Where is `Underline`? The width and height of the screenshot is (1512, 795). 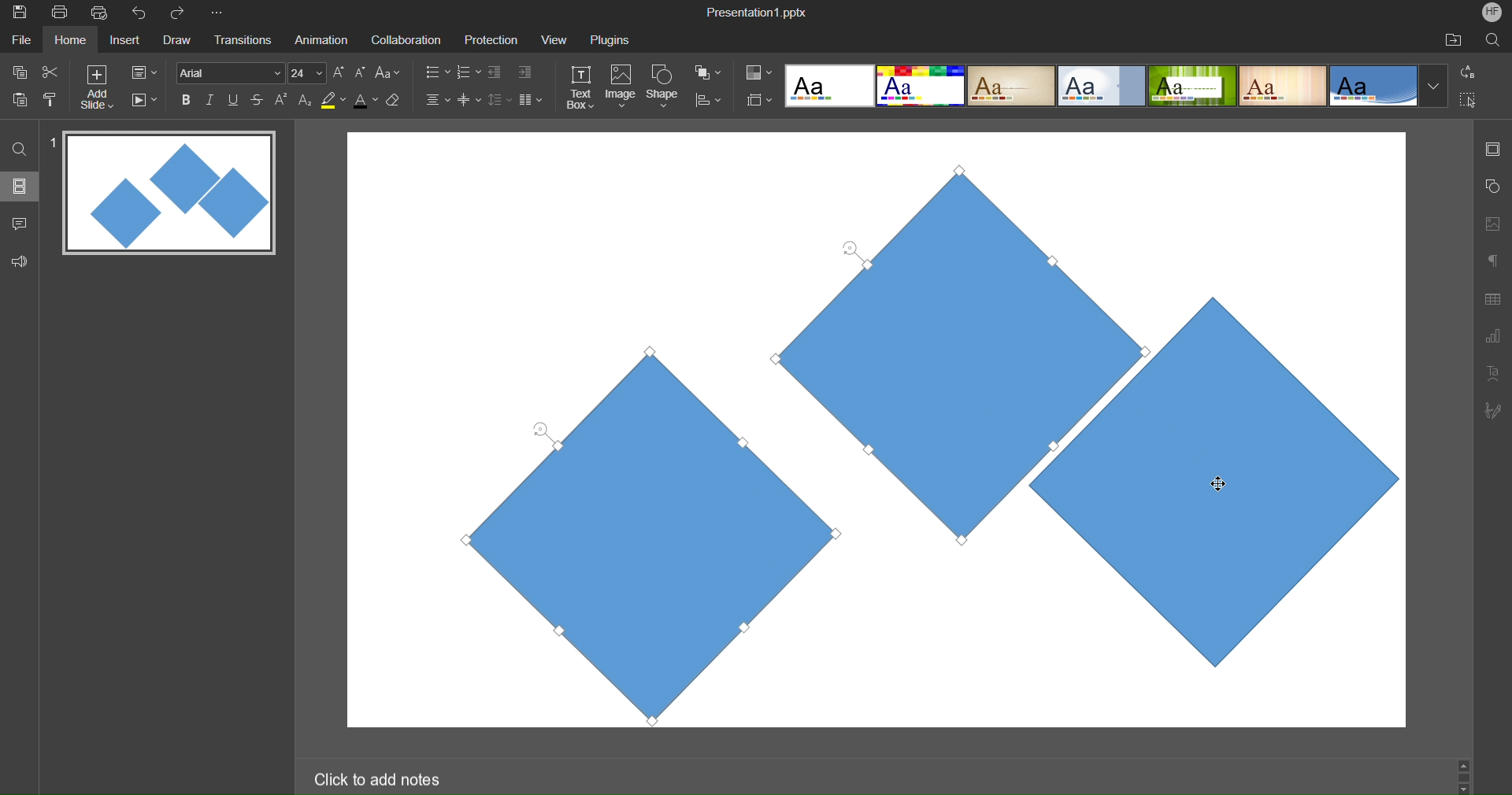
Underline is located at coordinates (234, 100).